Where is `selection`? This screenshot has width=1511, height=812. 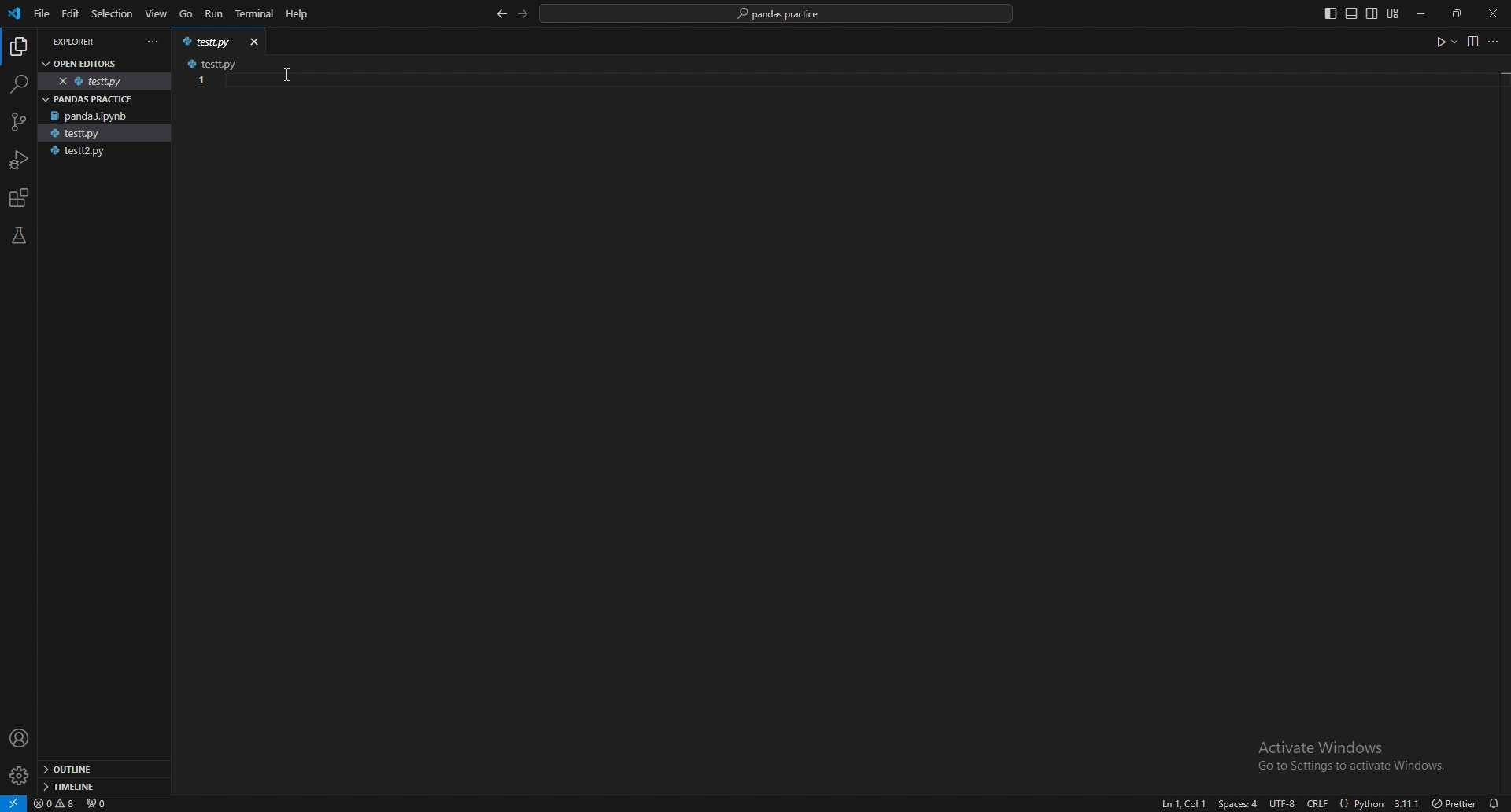
selection is located at coordinates (113, 13).